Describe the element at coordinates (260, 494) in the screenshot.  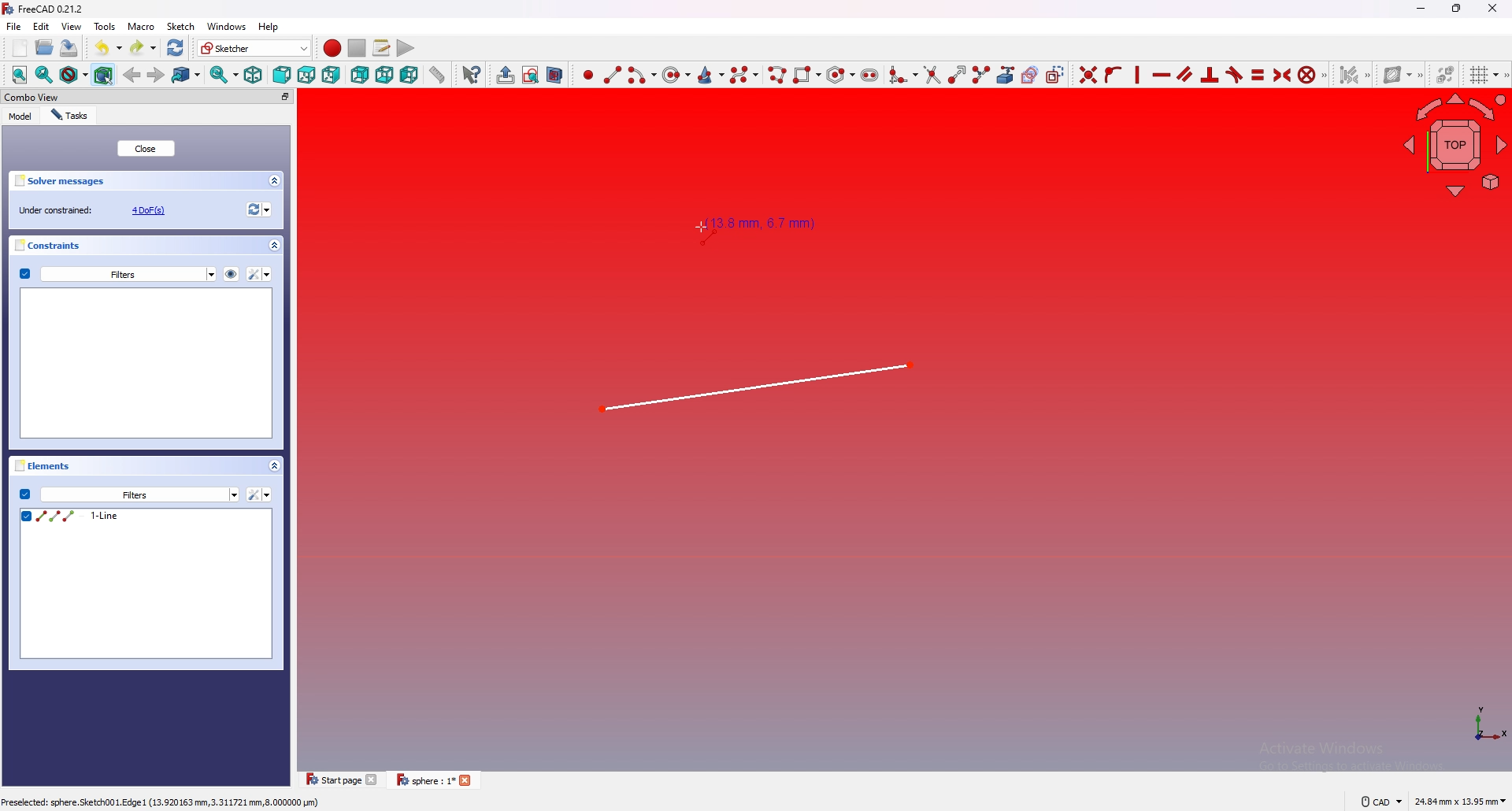
I see `Filter` at that location.